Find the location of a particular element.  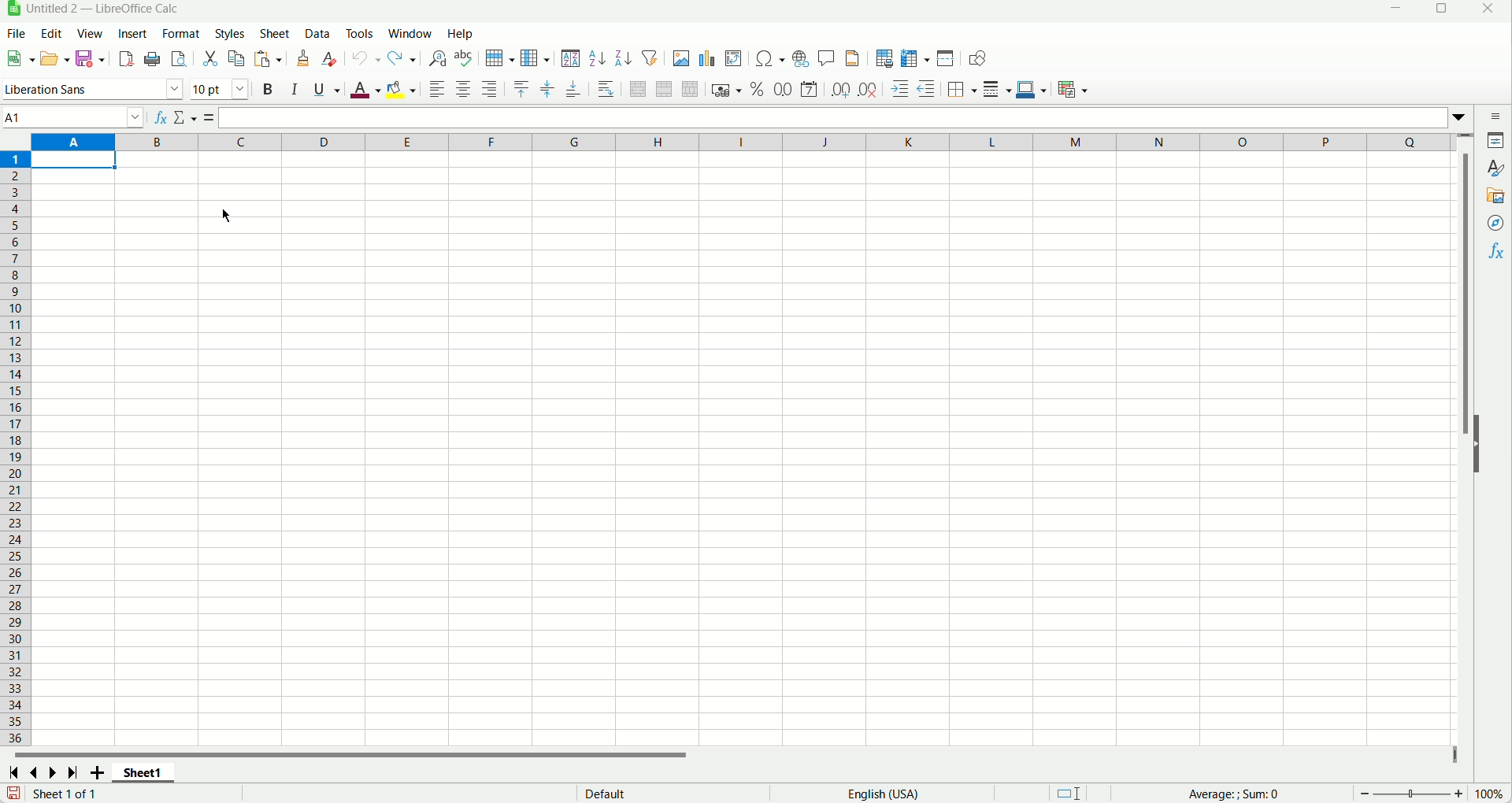

Row is located at coordinates (498, 58).